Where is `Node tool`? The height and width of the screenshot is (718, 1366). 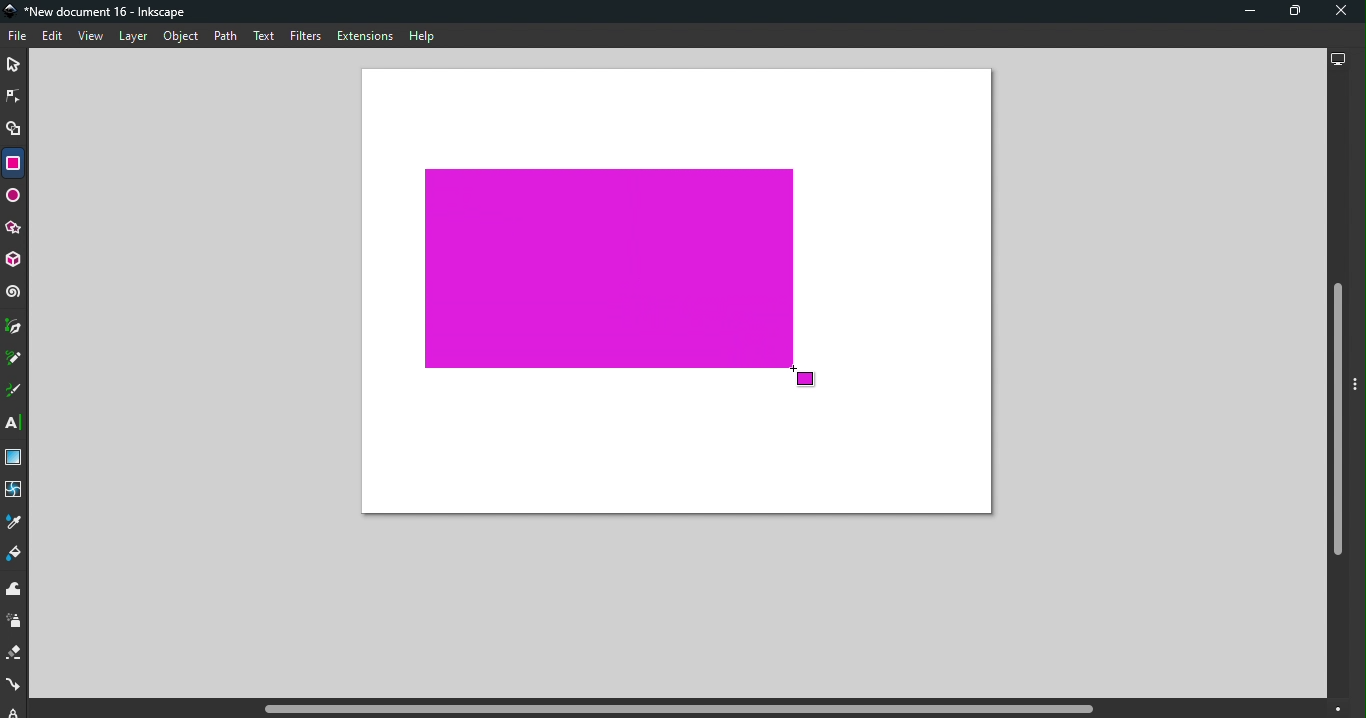 Node tool is located at coordinates (14, 95).